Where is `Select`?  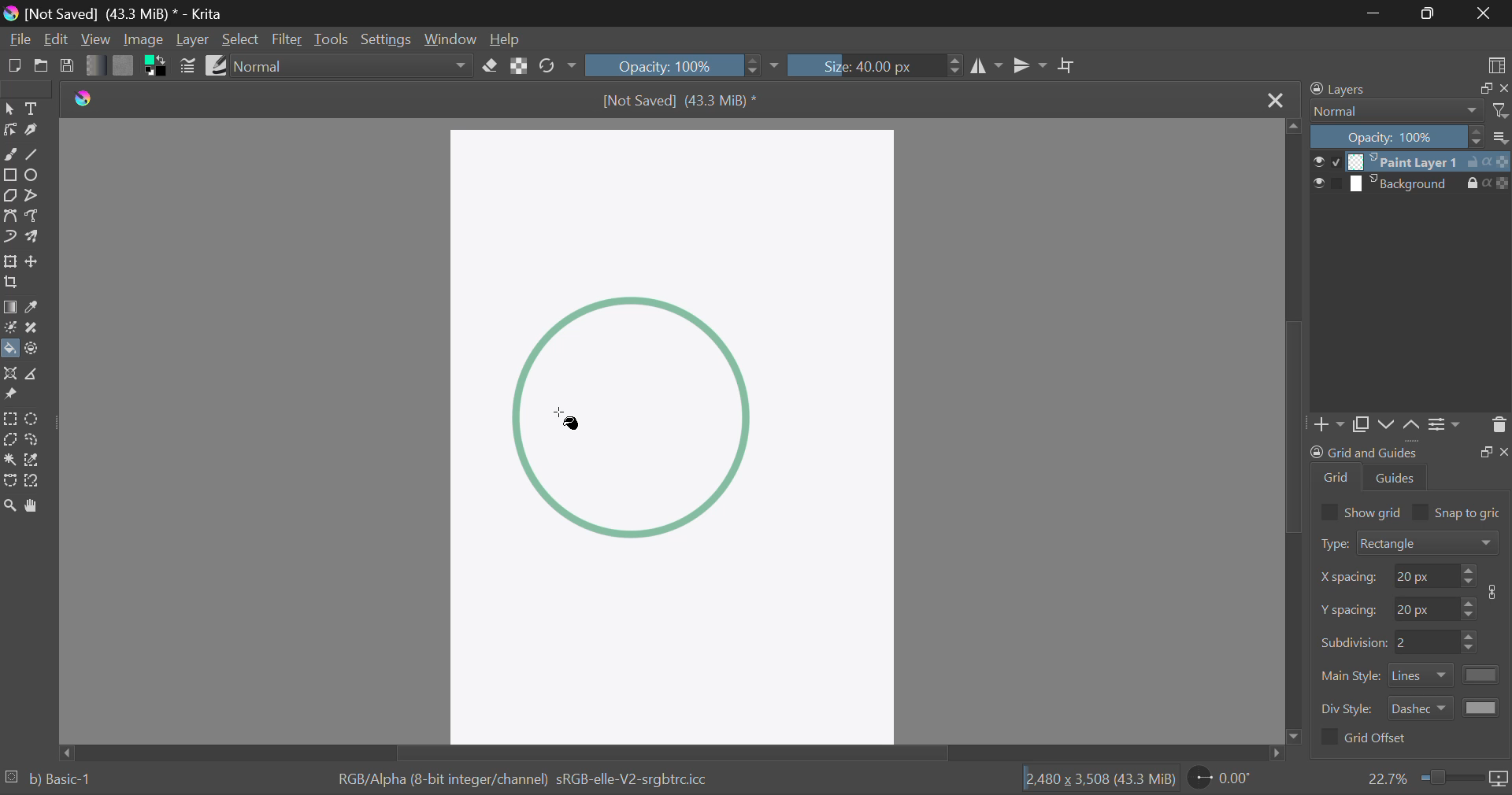 Select is located at coordinates (241, 39).